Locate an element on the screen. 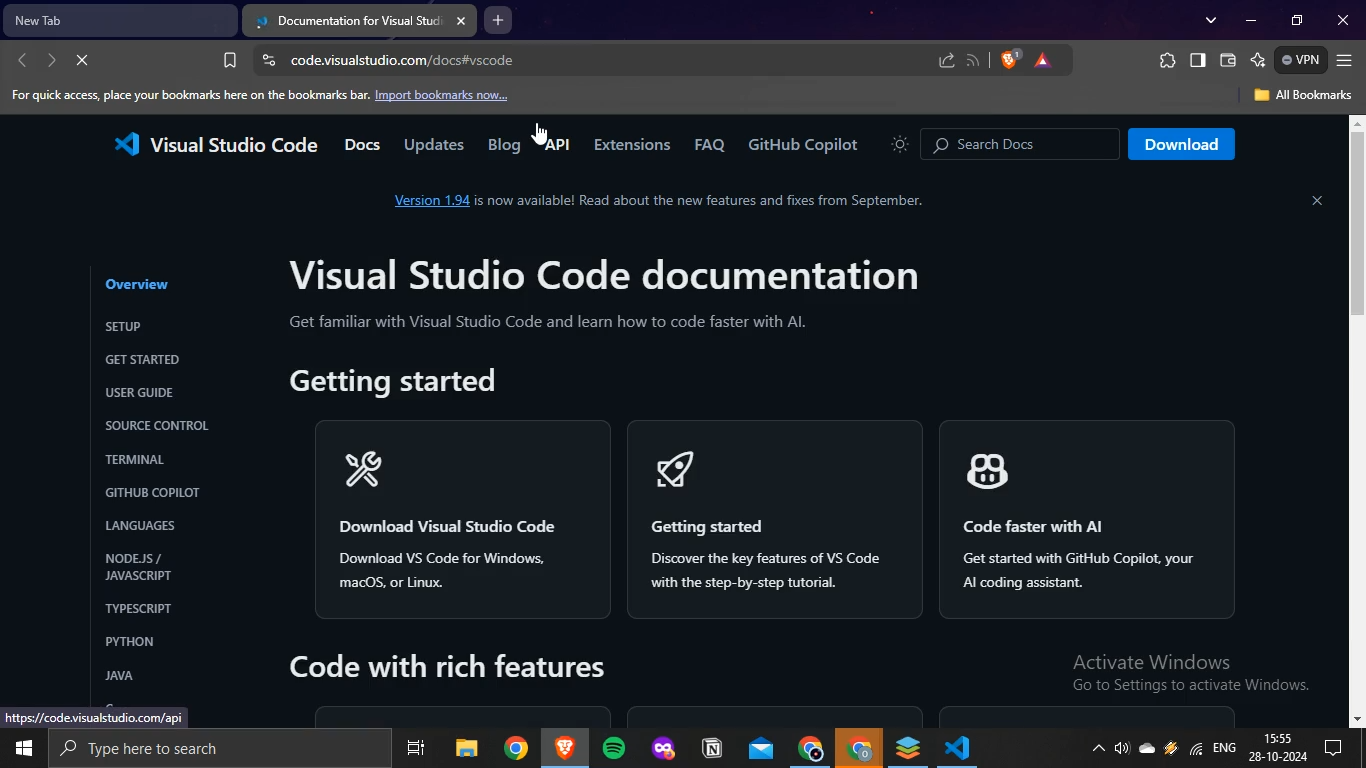  go forward one page is located at coordinates (51, 58).